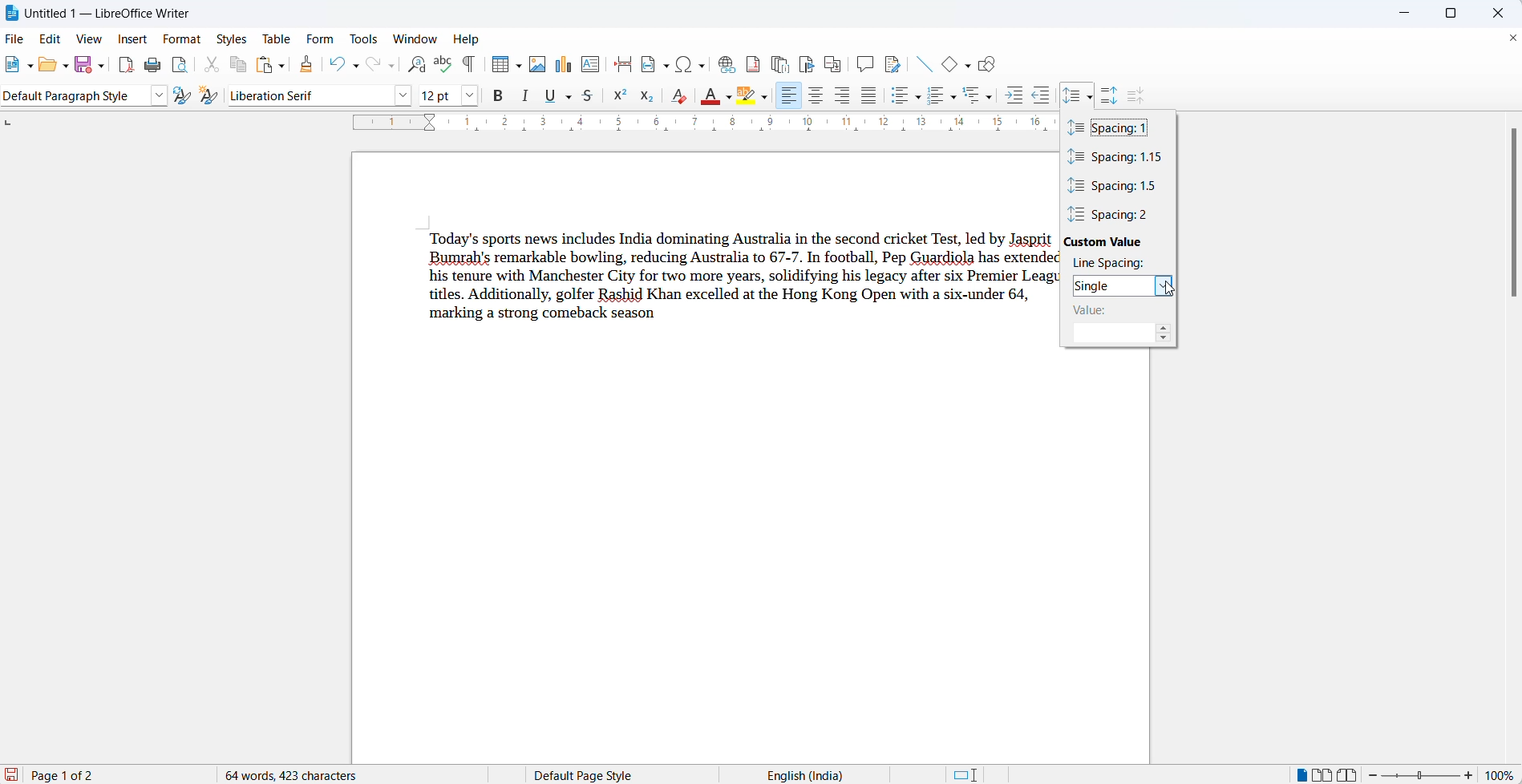 The width and height of the screenshot is (1522, 784). What do you see at coordinates (1166, 290) in the screenshot?
I see `cursor` at bounding box center [1166, 290].